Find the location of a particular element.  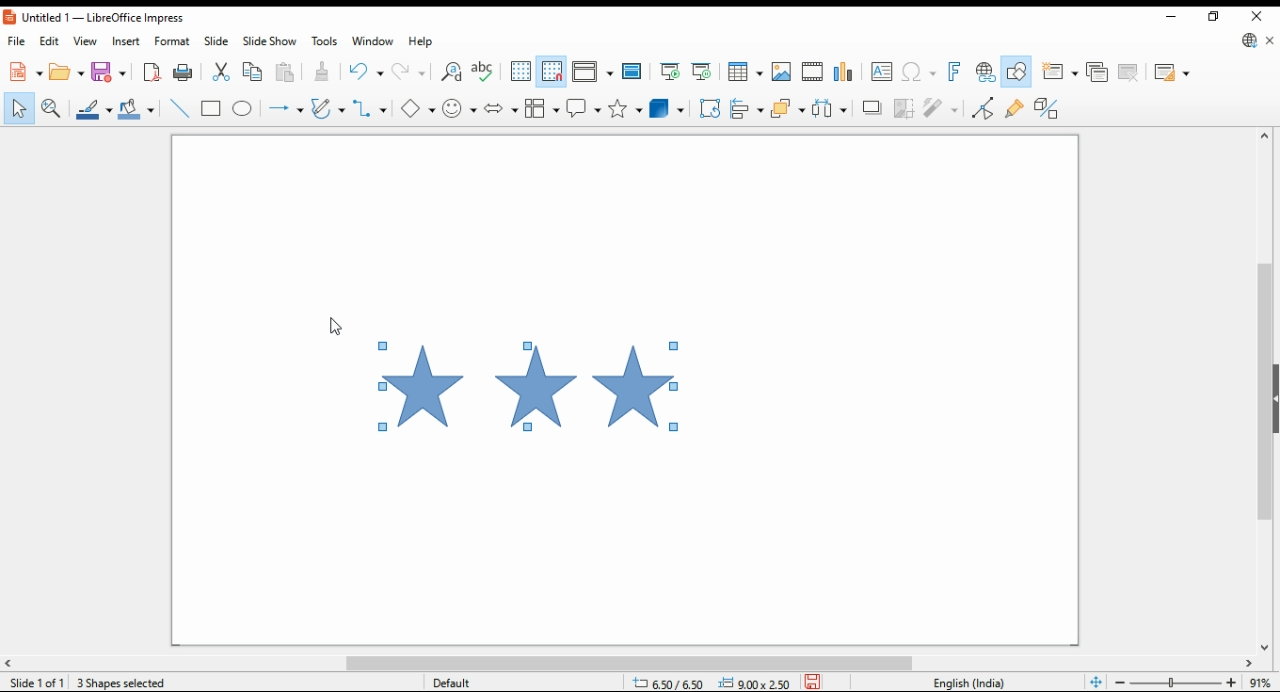

insert textbox is located at coordinates (881, 73).